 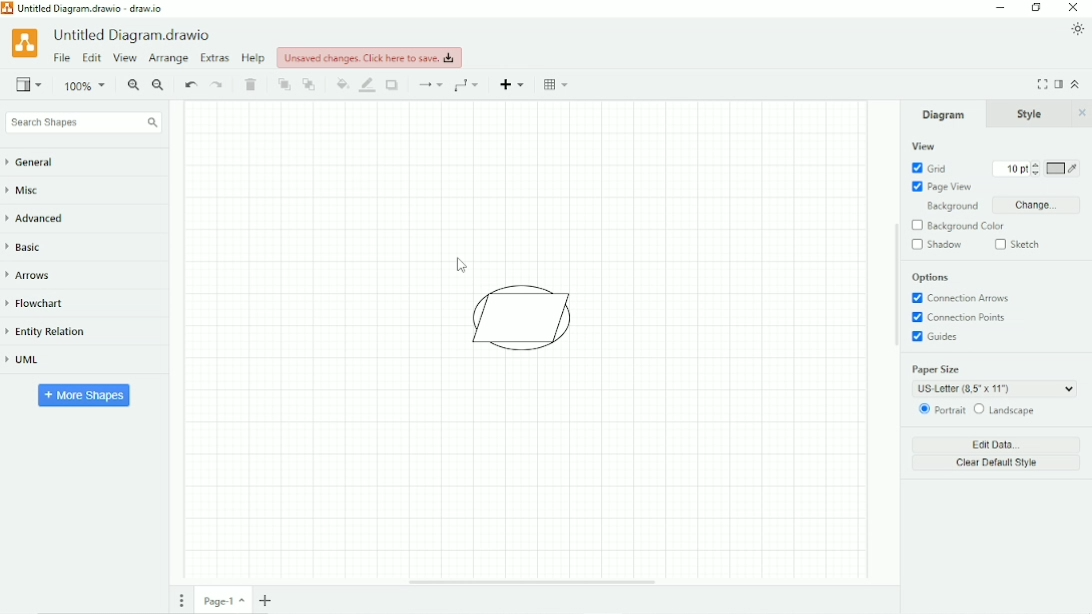 What do you see at coordinates (29, 83) in the screenshot?
I see `View` at bounding box center [29, 83].